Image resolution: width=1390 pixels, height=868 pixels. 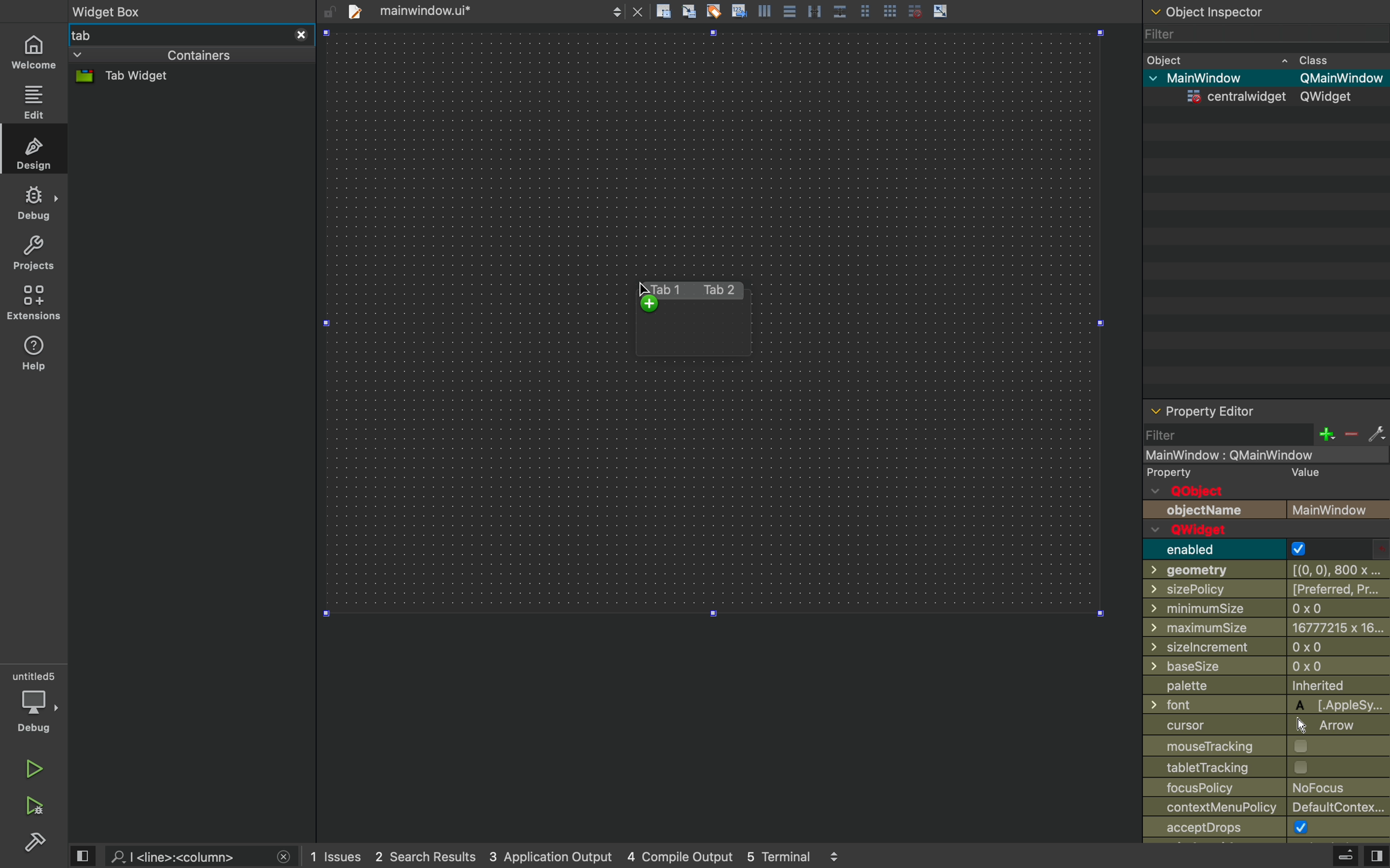 I want to click on insert text , so click(x=738, y=10).